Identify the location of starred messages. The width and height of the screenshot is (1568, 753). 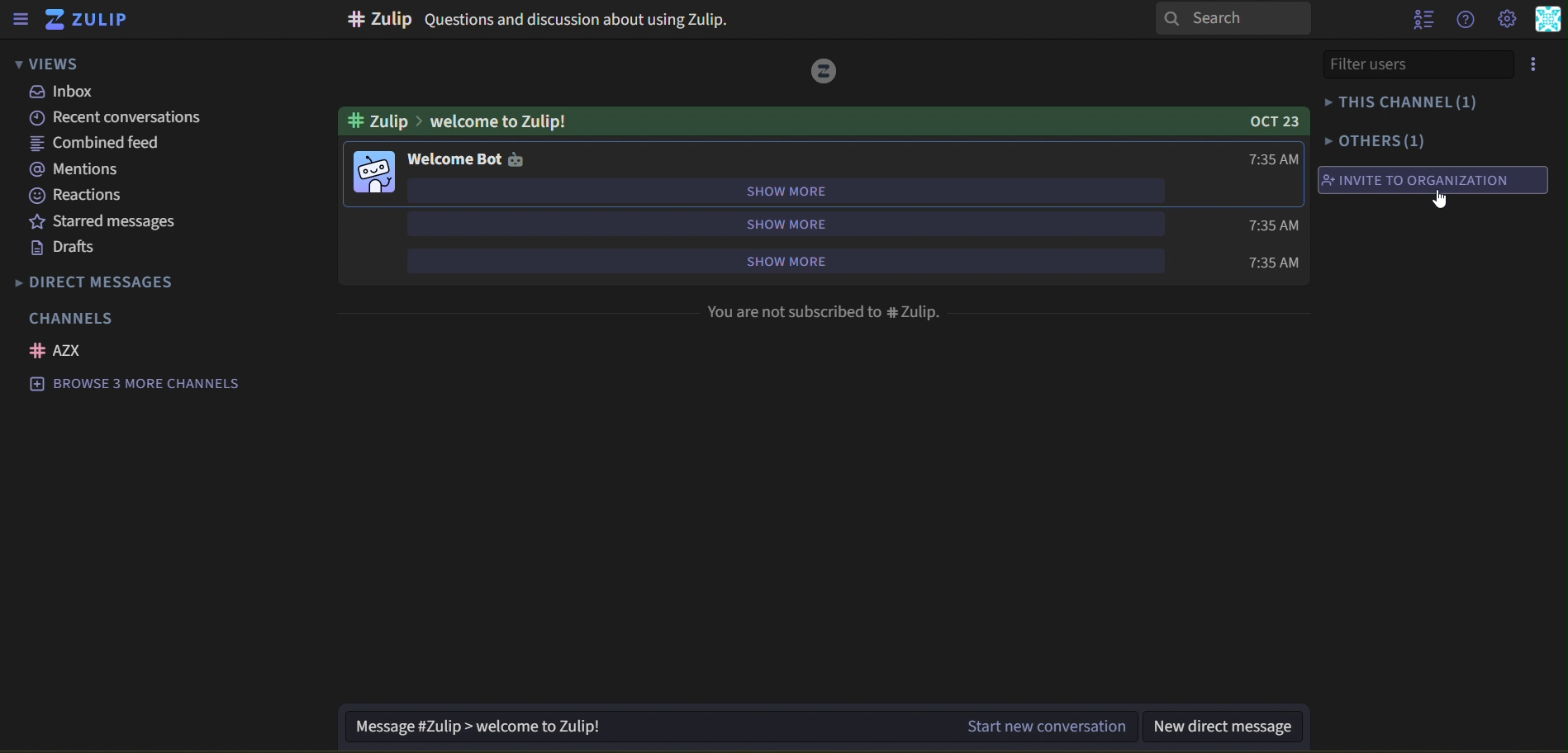
(127, 223).